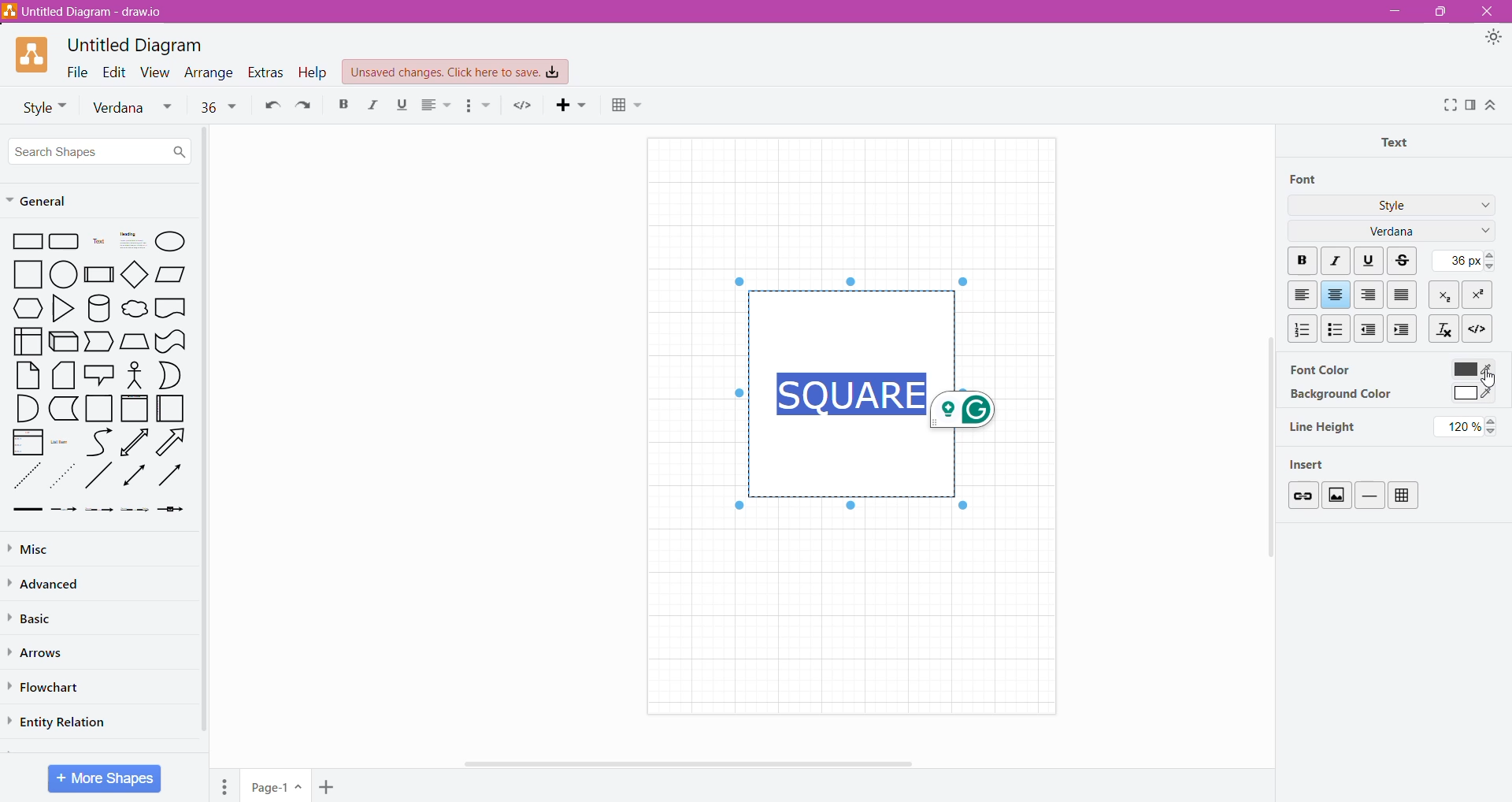 The width and height of the screenshot is (1512, 802). Describe the element at coordinates (77, 71) in the screenshot. I see `File` at that location.